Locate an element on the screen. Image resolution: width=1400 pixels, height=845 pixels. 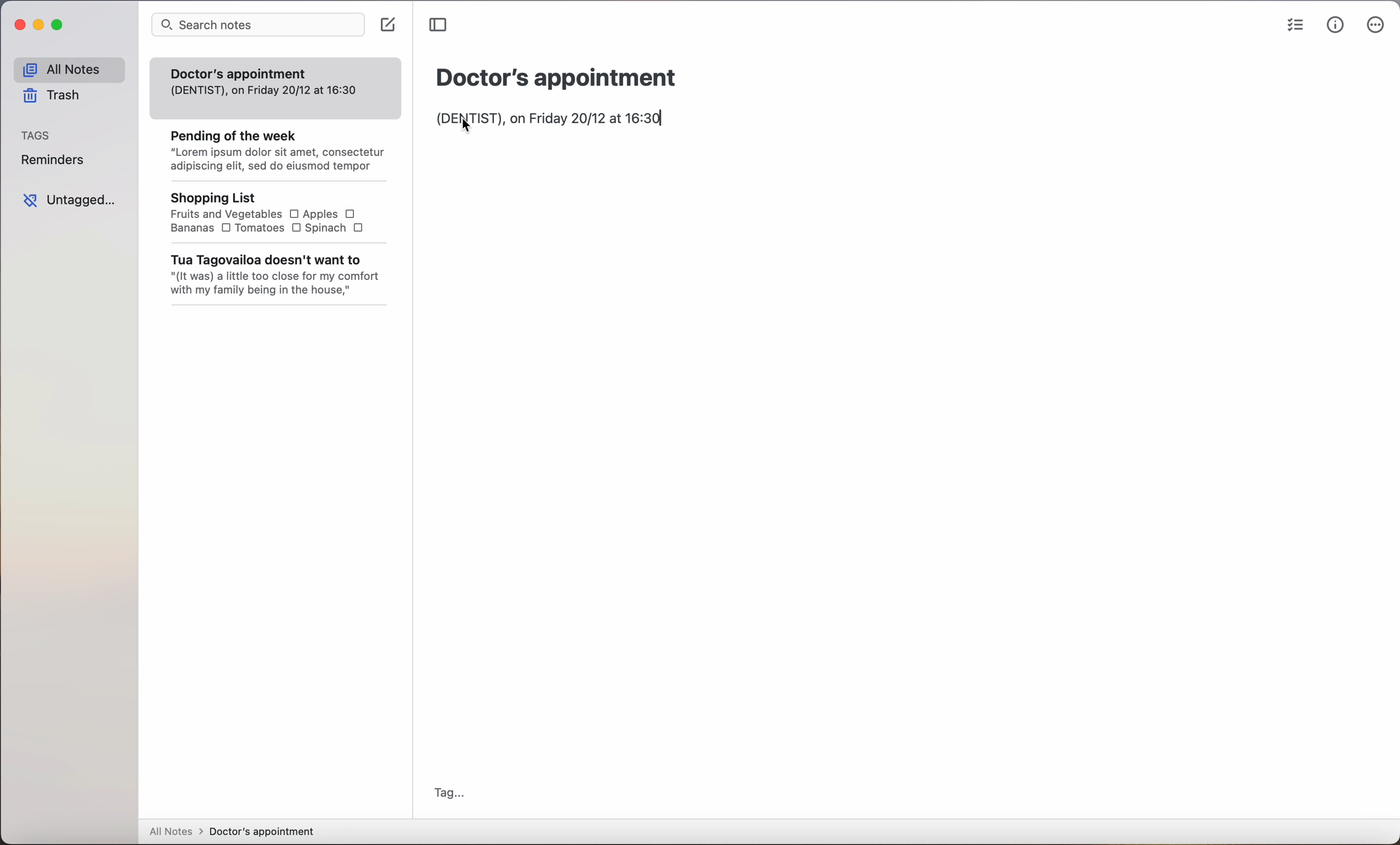
checklist is located at coordinates (1297, 23).